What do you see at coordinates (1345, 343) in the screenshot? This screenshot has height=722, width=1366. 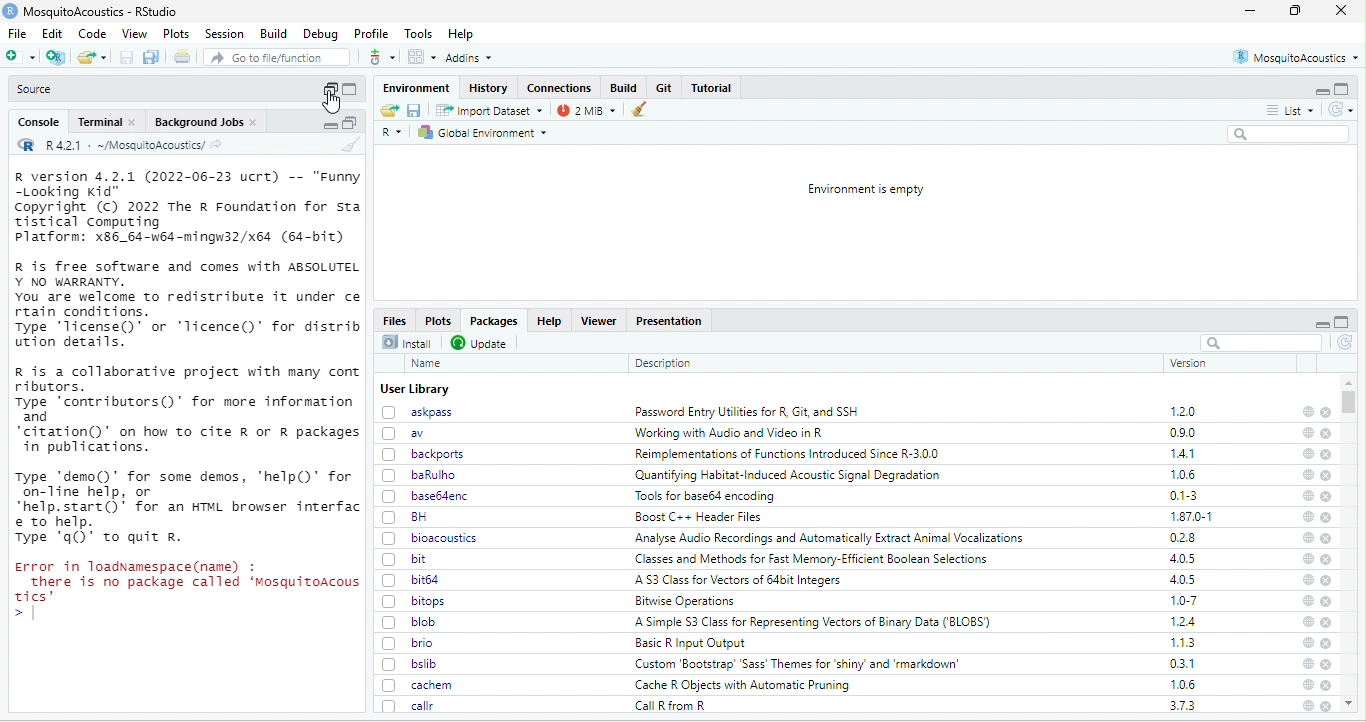 I see `refresh` at bounding box center [1345, 343].